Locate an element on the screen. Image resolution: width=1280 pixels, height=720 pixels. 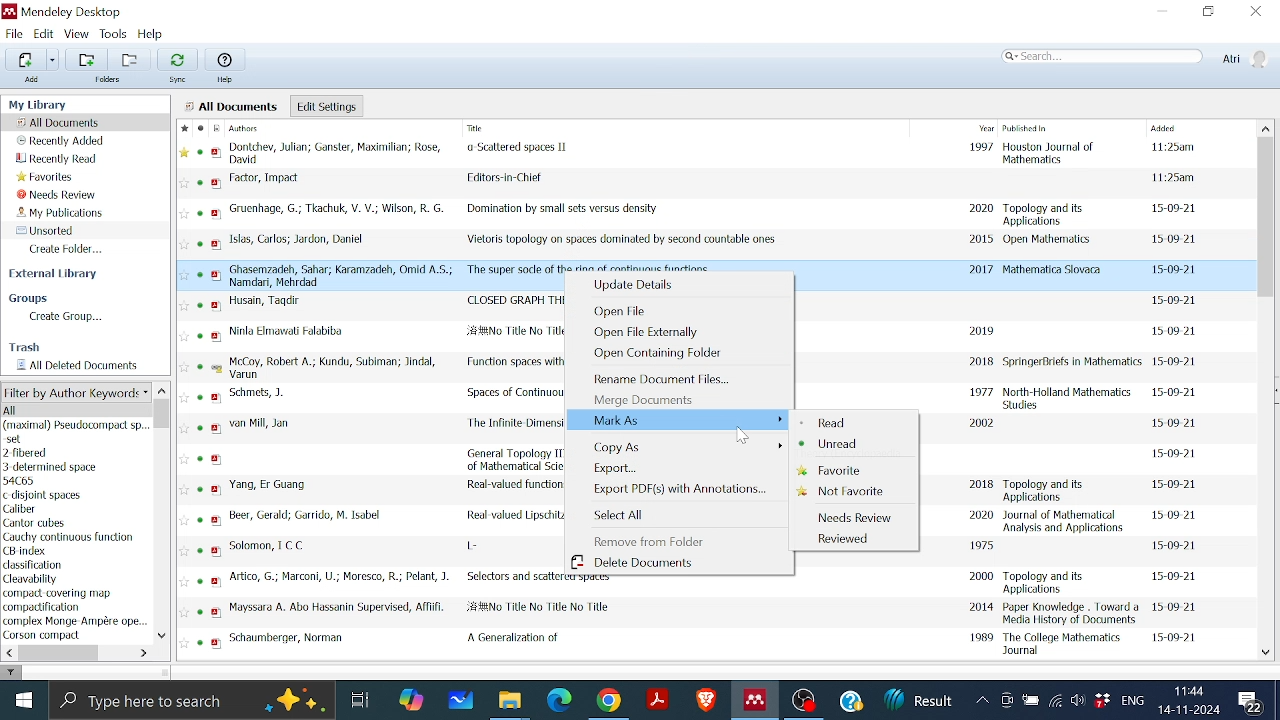
Files is located at coordinates (514, 701).